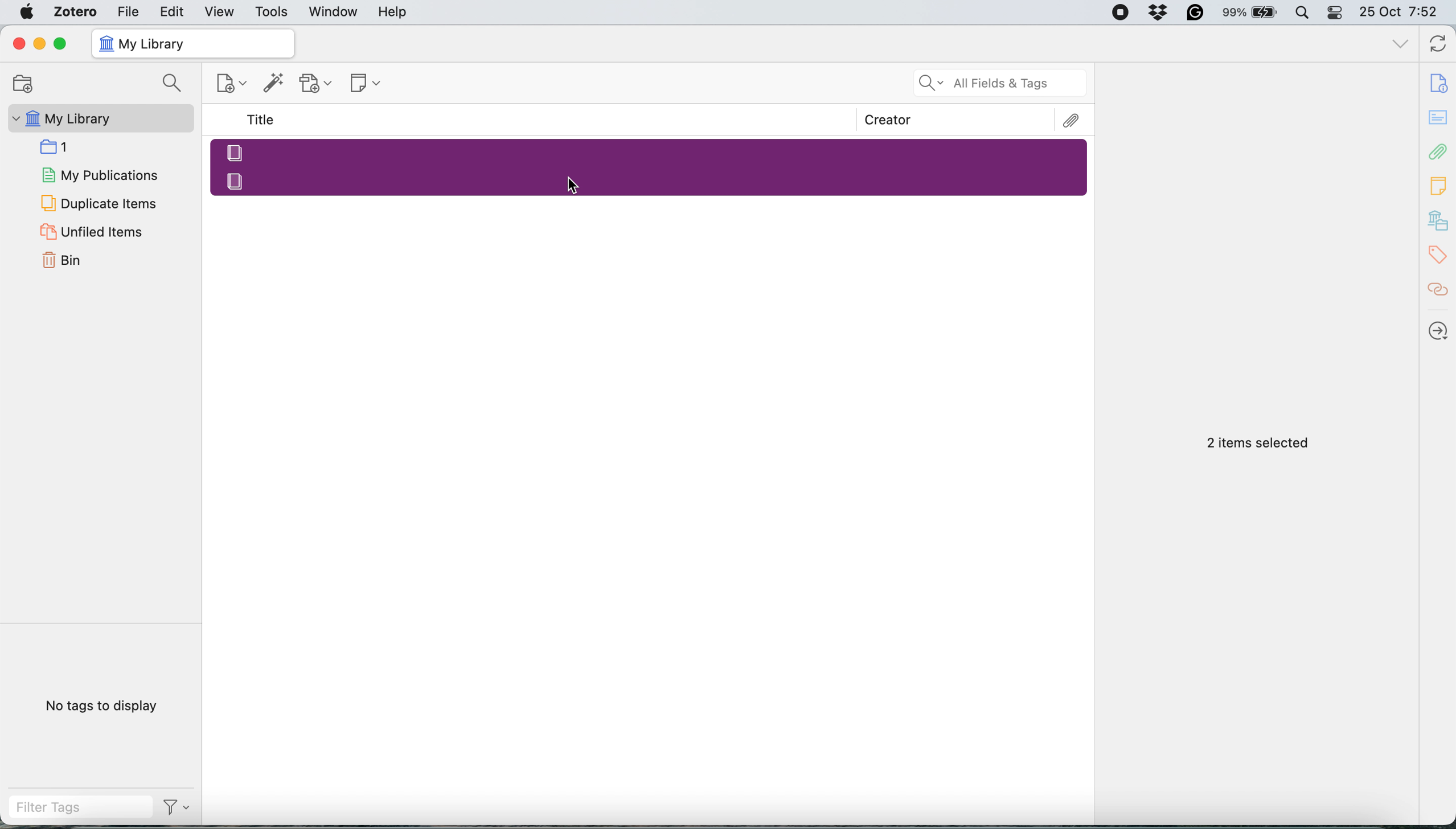 Image resolution: width=1456 pixels, height=829 pixels. What do you see at coordinates (21, 83) in the screenshot?
I see `Open Folder` at bounding box center [21, 83].